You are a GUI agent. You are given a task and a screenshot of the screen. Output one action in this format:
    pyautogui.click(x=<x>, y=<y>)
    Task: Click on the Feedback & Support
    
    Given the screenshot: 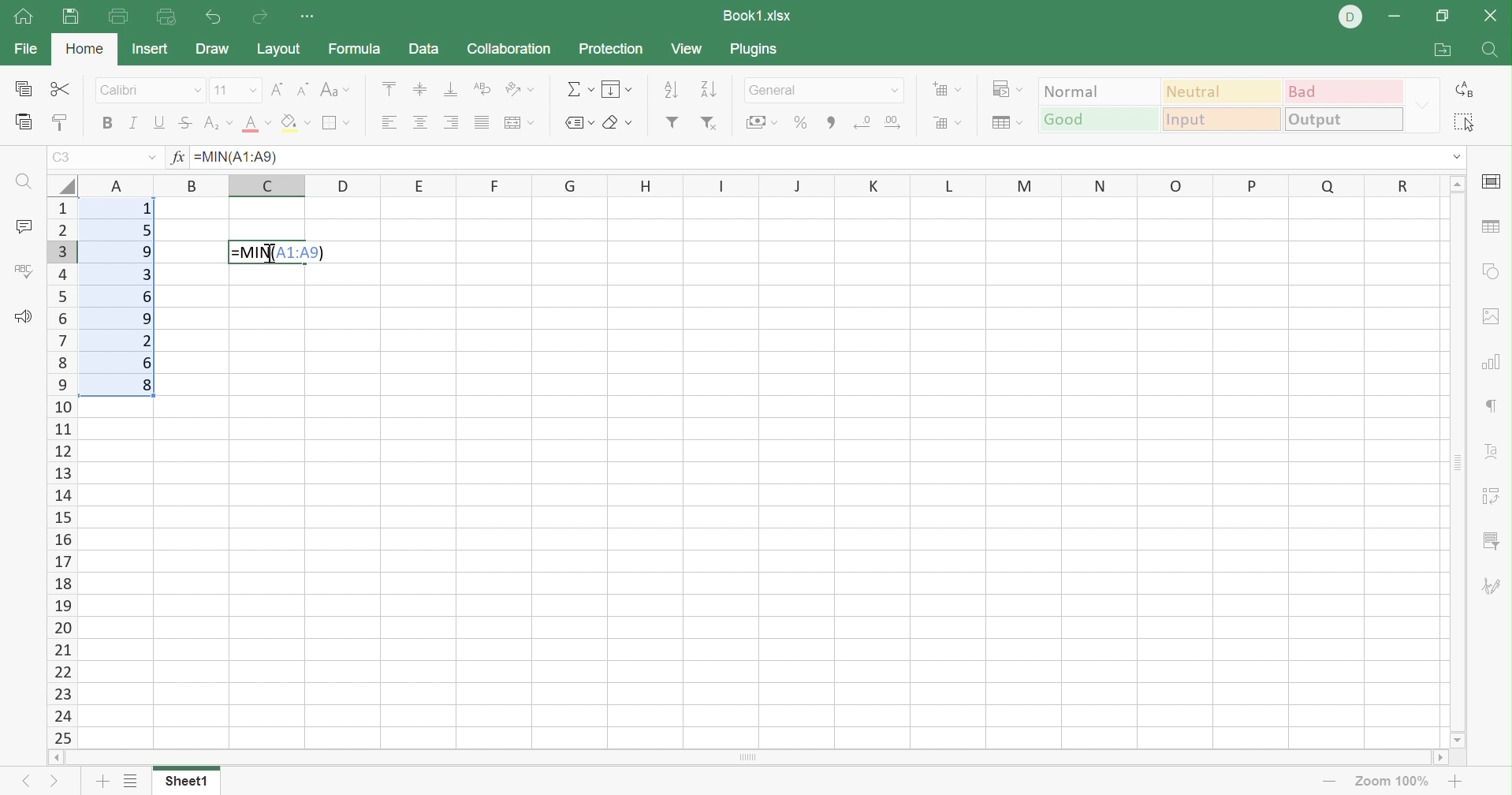 What is the action you would take?
    pyautogui.click(x=22, y=315)
    